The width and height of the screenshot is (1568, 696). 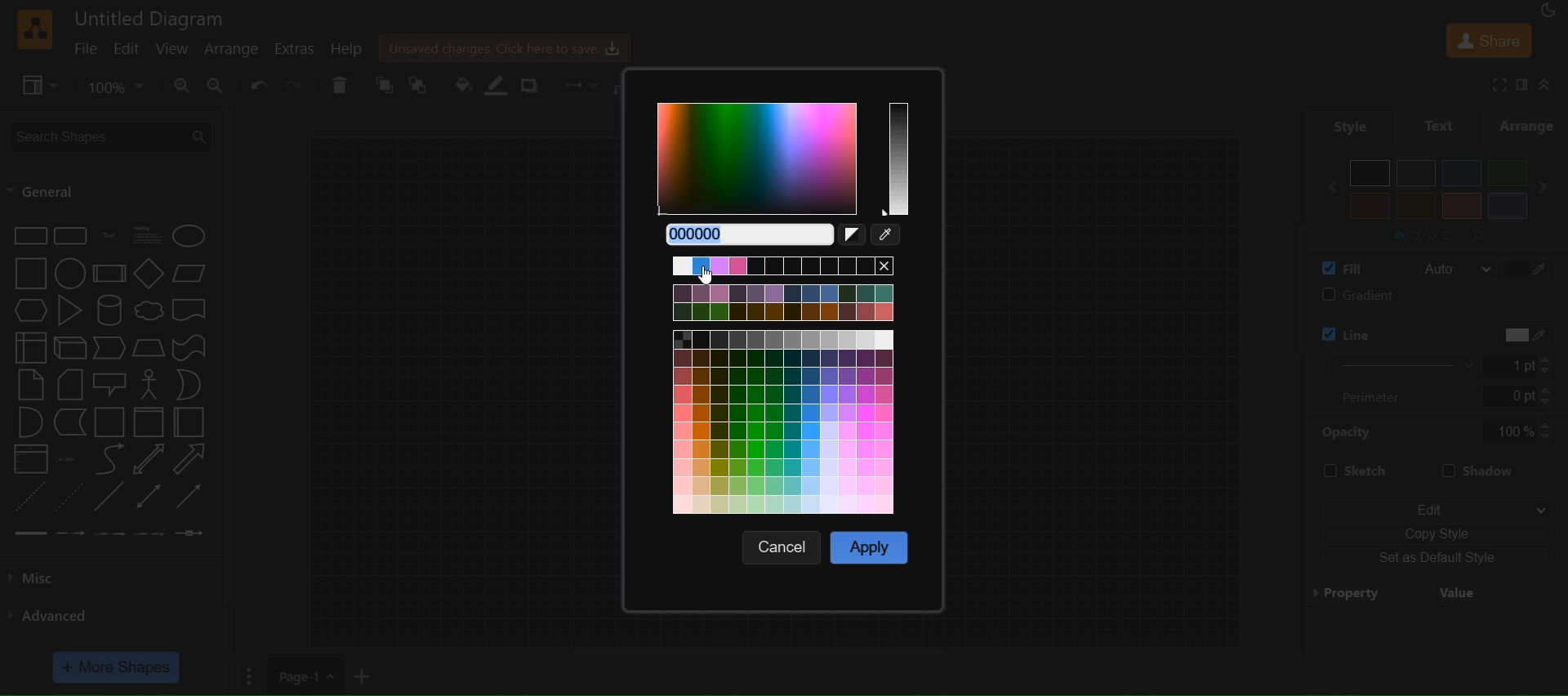 I want to click on add new page, so click(x=367, y=673).